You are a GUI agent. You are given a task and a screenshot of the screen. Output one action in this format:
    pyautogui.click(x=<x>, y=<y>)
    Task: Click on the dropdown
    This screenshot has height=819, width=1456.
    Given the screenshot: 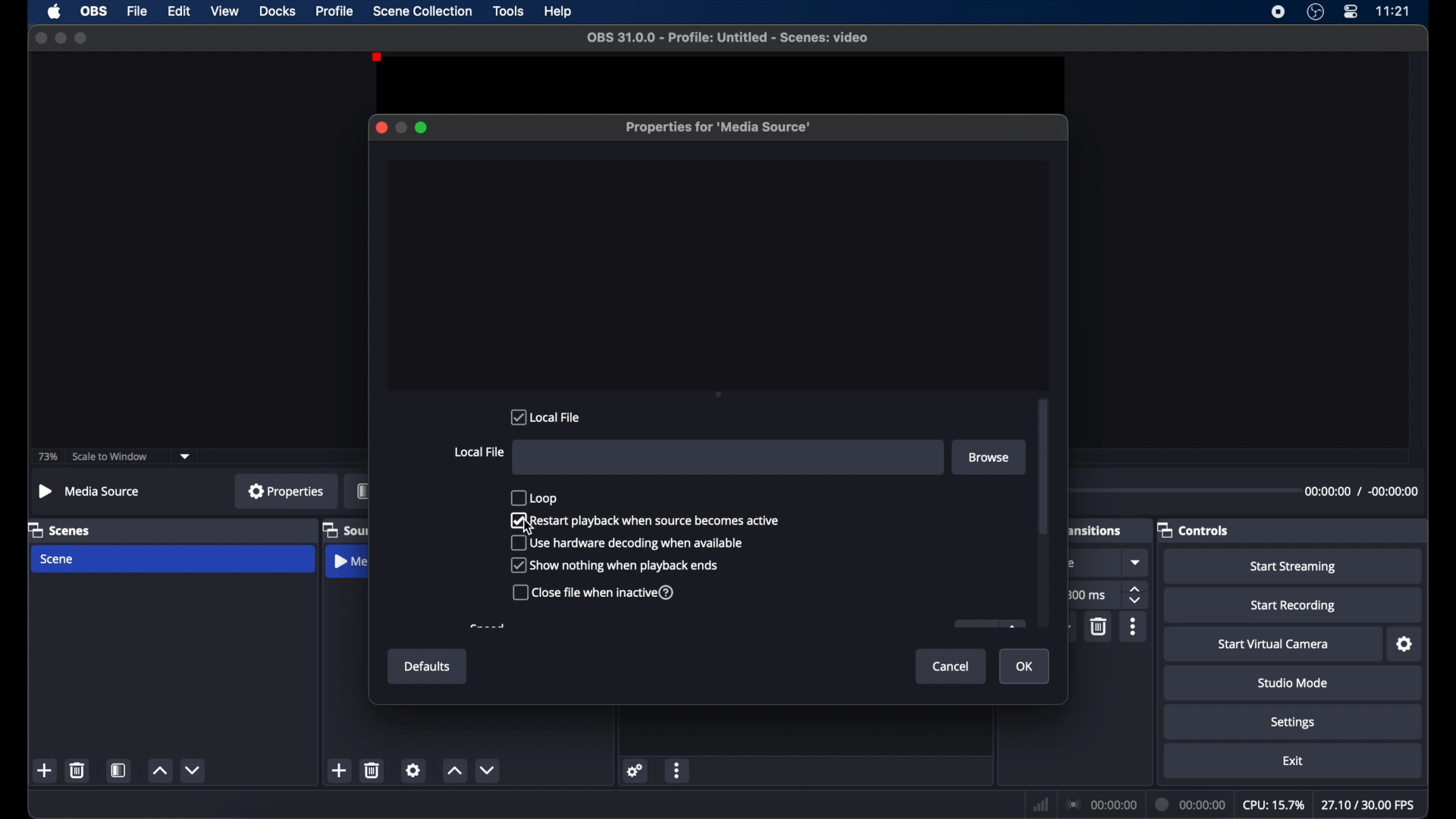 What is the action you would take?
    pyautogui.click(x=1137, y=563)
    